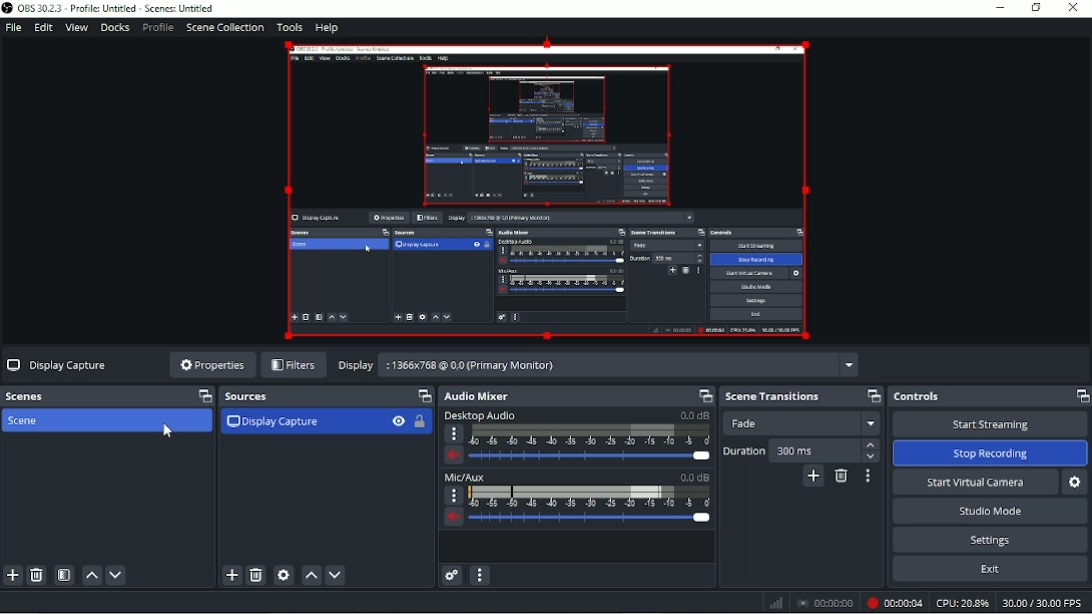 This screenshot has height=614, width=1092. Describe the element at coordinates (157, 28) in the screenshot. I see `Profile` at that location.